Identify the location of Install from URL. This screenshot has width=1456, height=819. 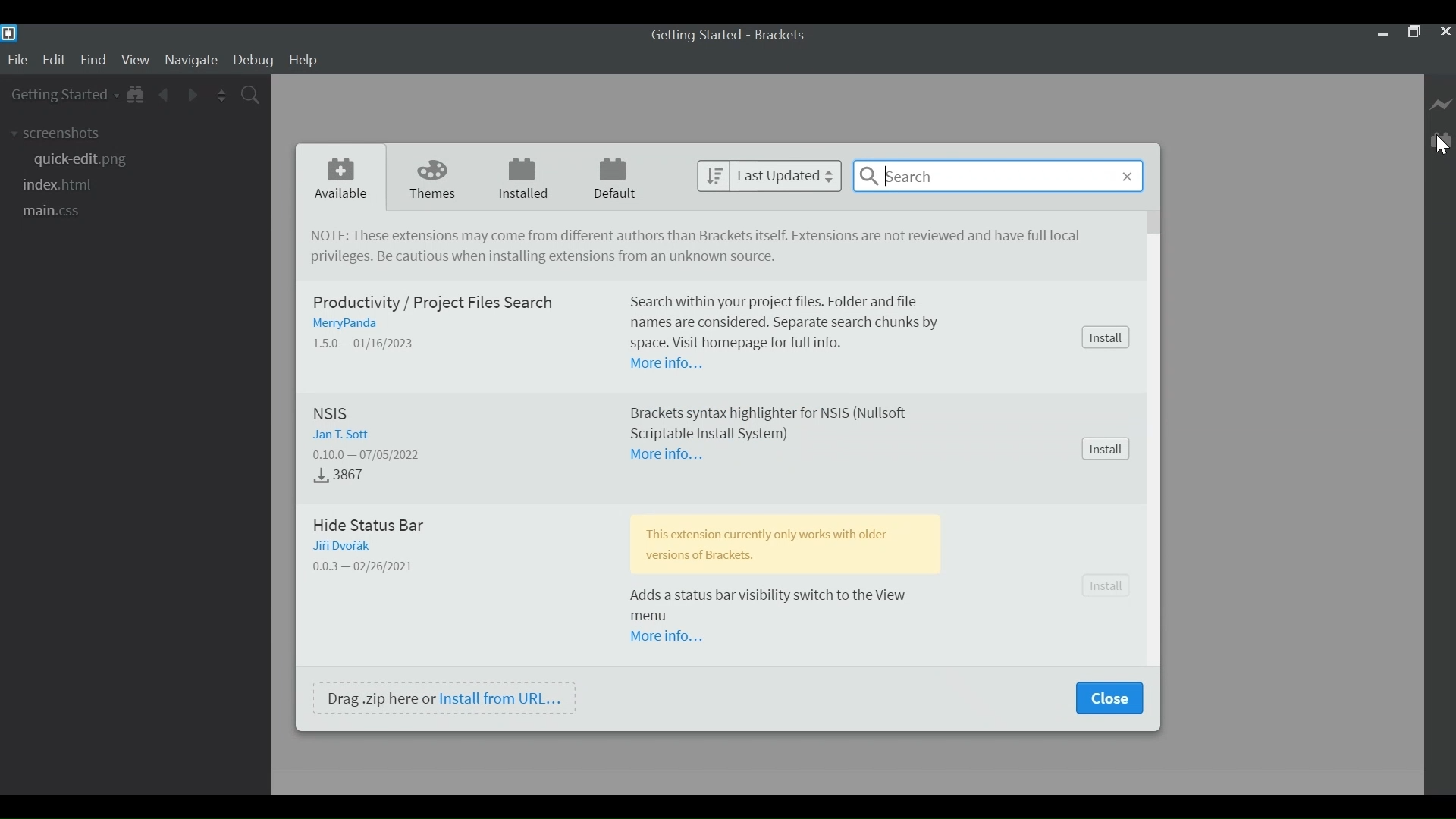
(503, 698).